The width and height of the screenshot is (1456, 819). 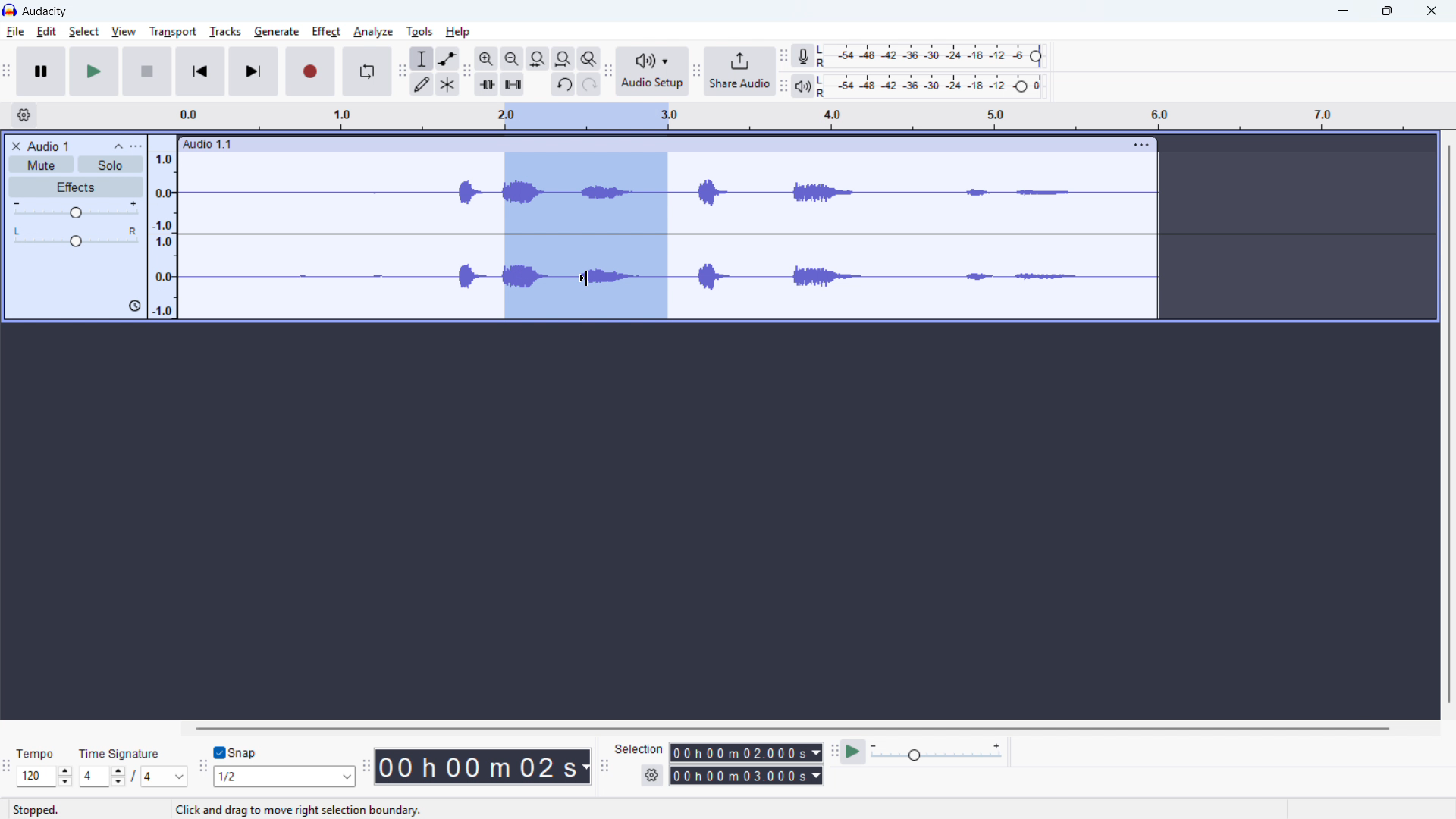 I want to click on File, so click(x=14, y=32).